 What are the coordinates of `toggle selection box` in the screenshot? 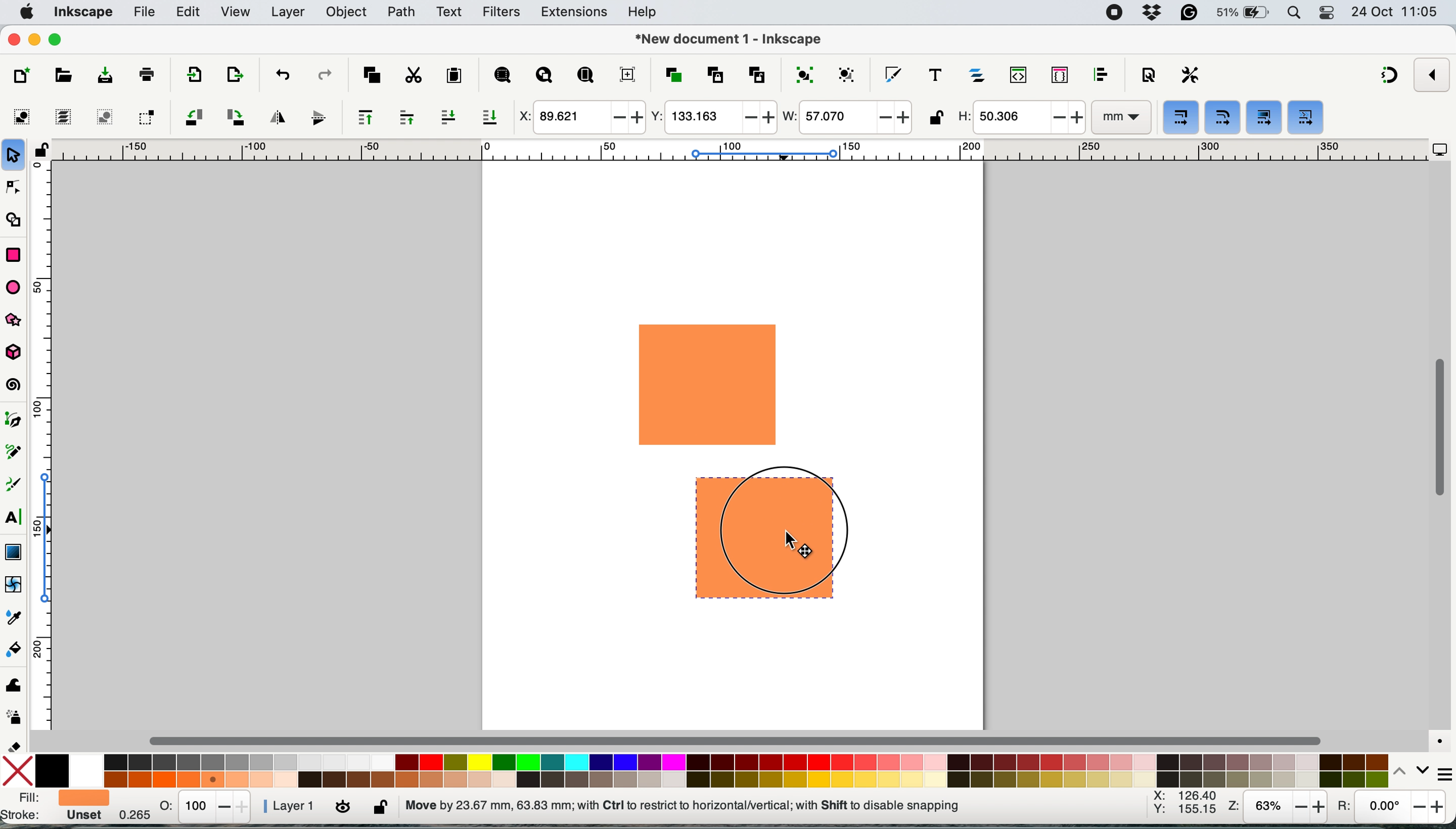 It's located at (146, 116).